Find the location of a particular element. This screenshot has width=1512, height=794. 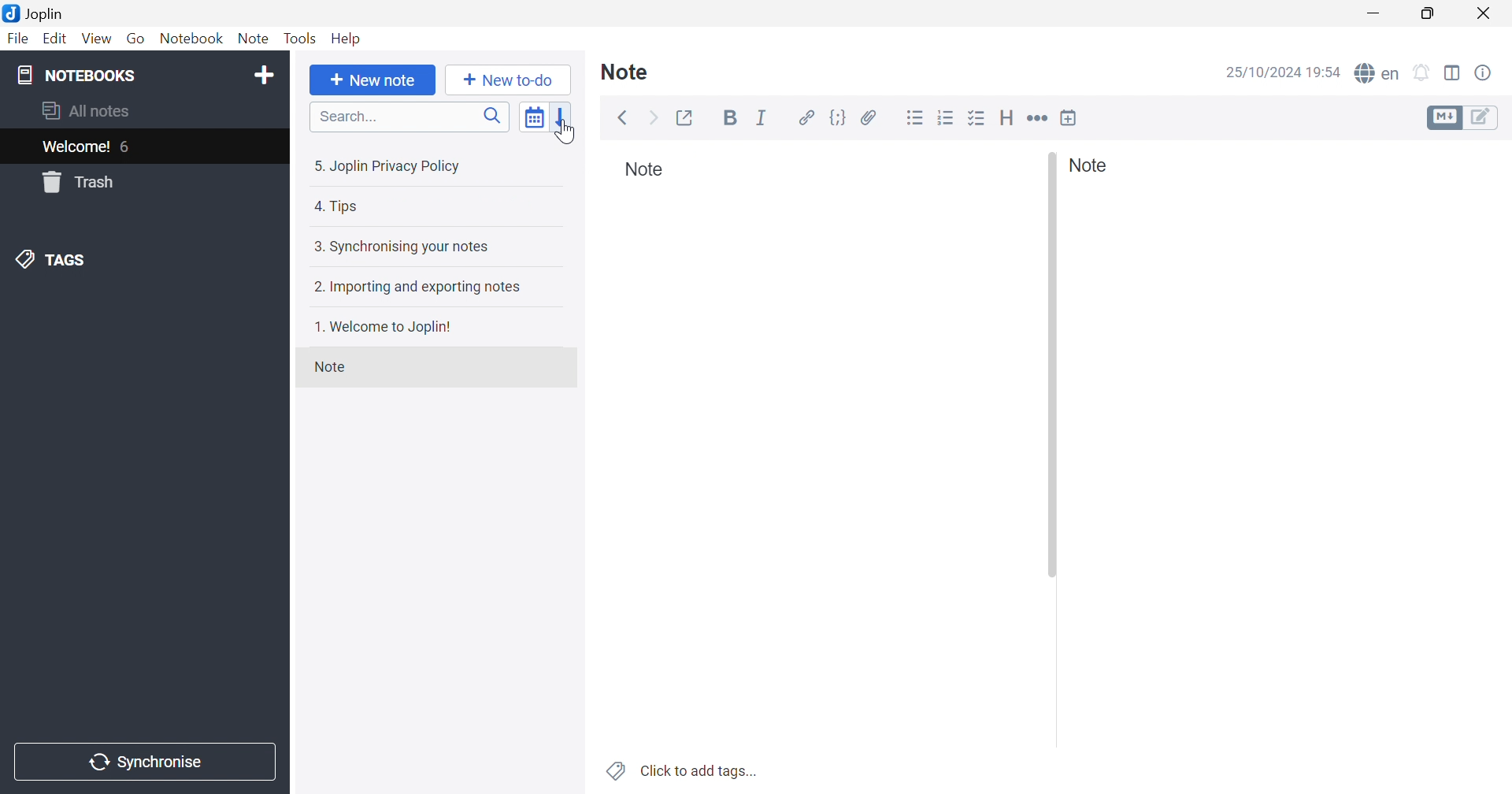

Synchronise is located at coordinates (143, 762).